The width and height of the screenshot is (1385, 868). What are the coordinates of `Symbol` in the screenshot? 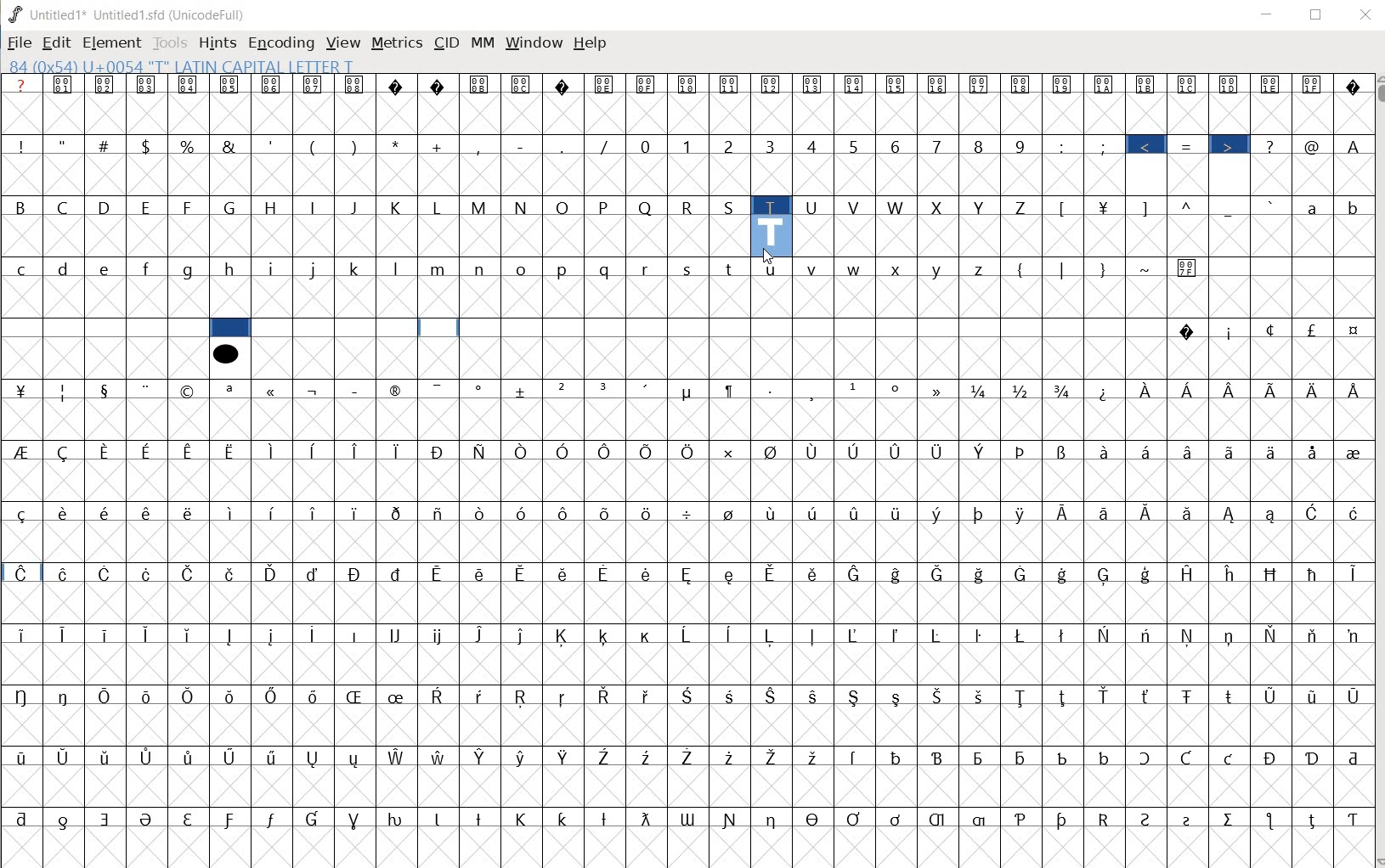 It's located at (1314, 84).